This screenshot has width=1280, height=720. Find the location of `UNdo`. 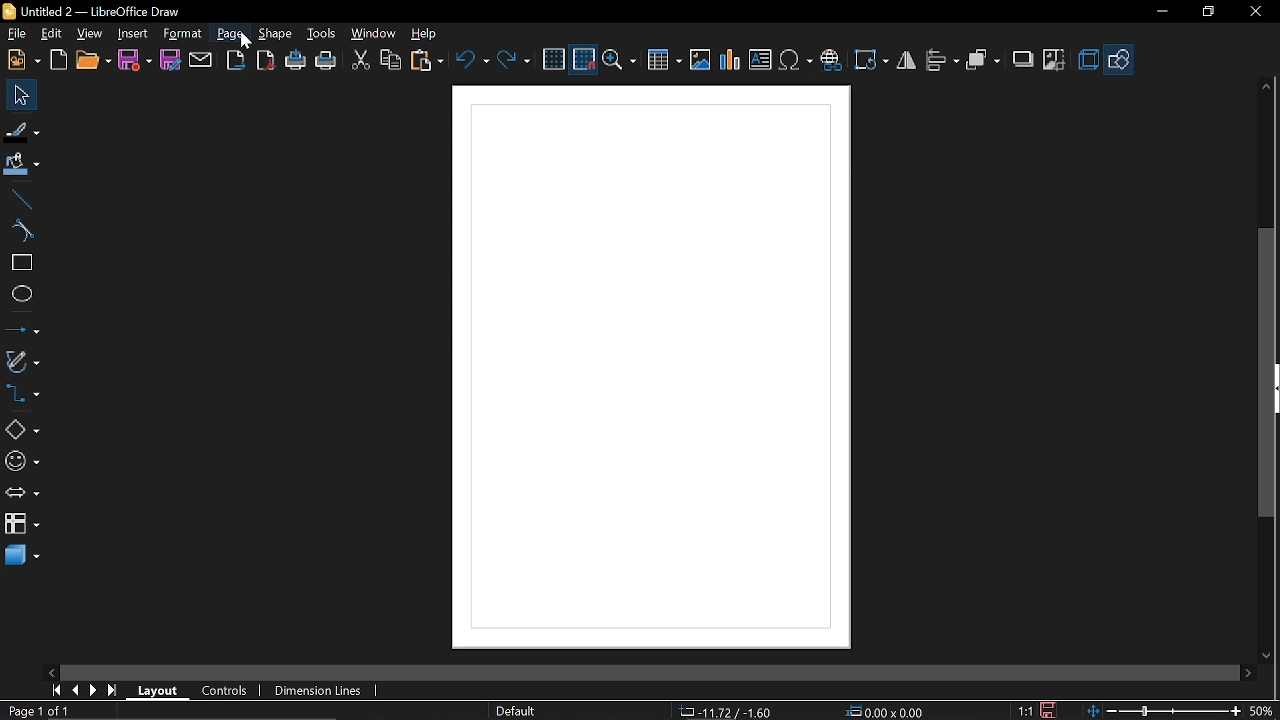

UNdo is located at coordinates (471, 61).